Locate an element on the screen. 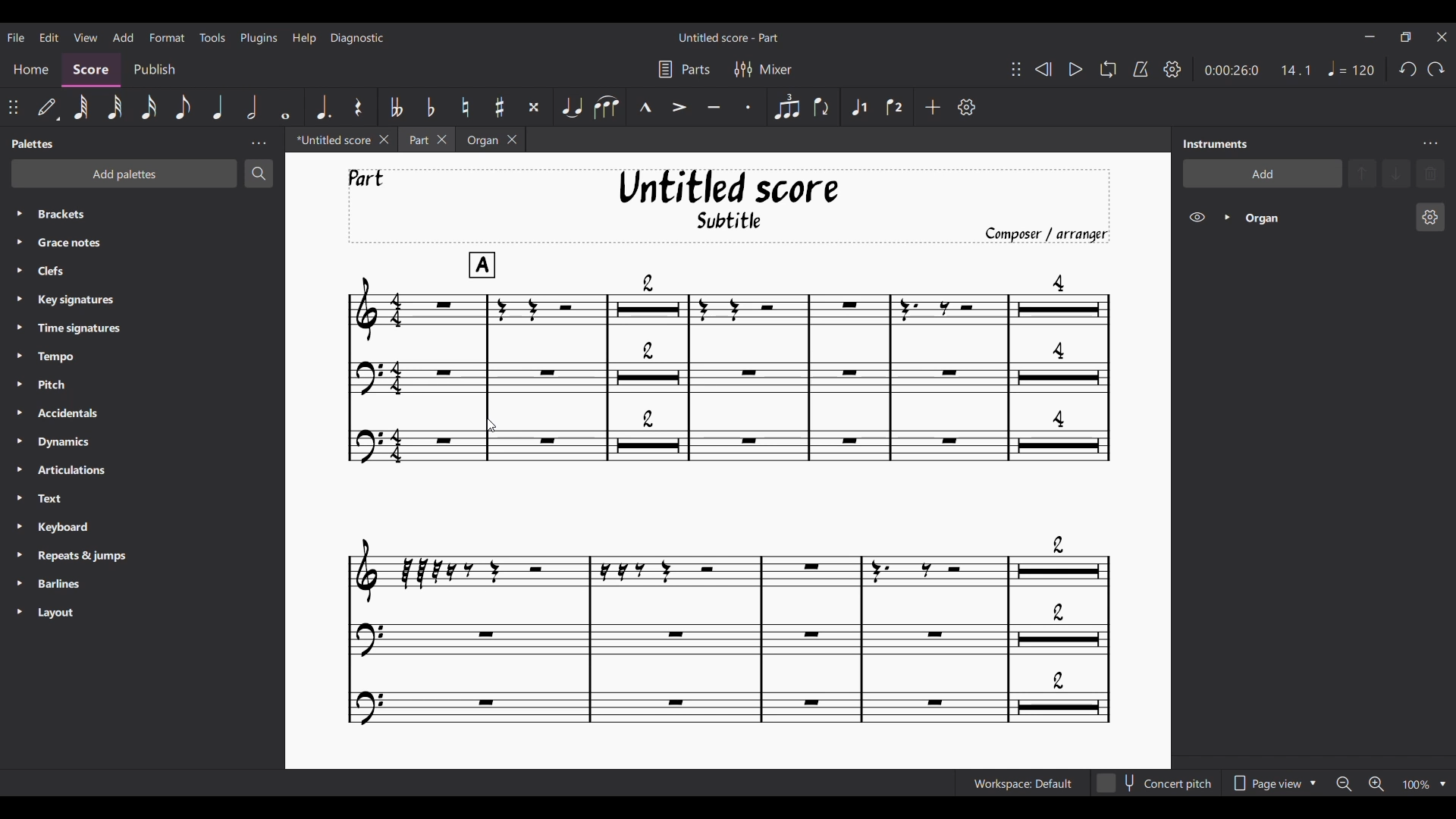 This screenshot has width=1456, height=819. Page view options is located at coordinates (1273, 783).